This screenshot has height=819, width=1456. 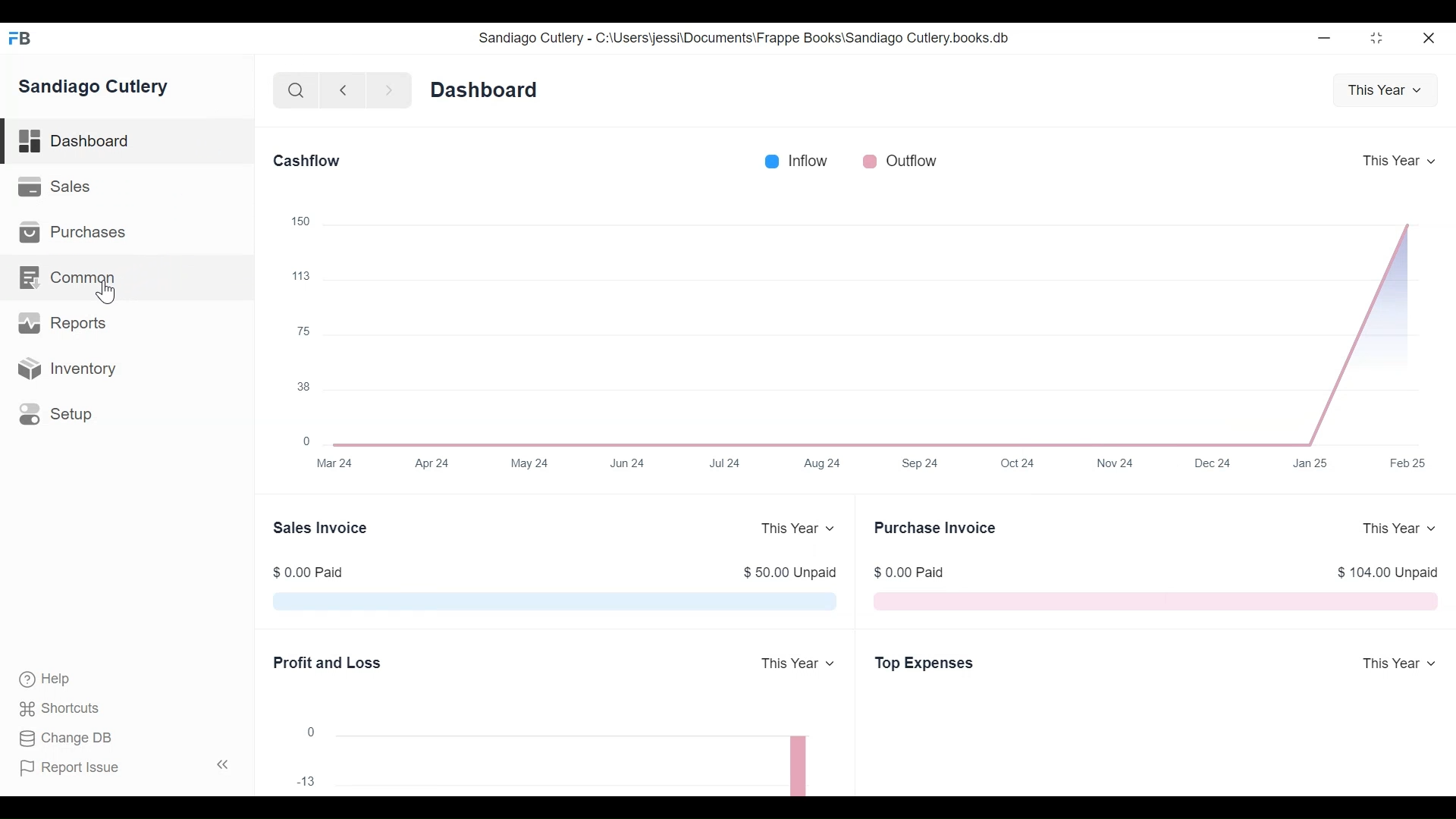 I want to click on $ 0.00 Paid, so click(x=310, y=572).